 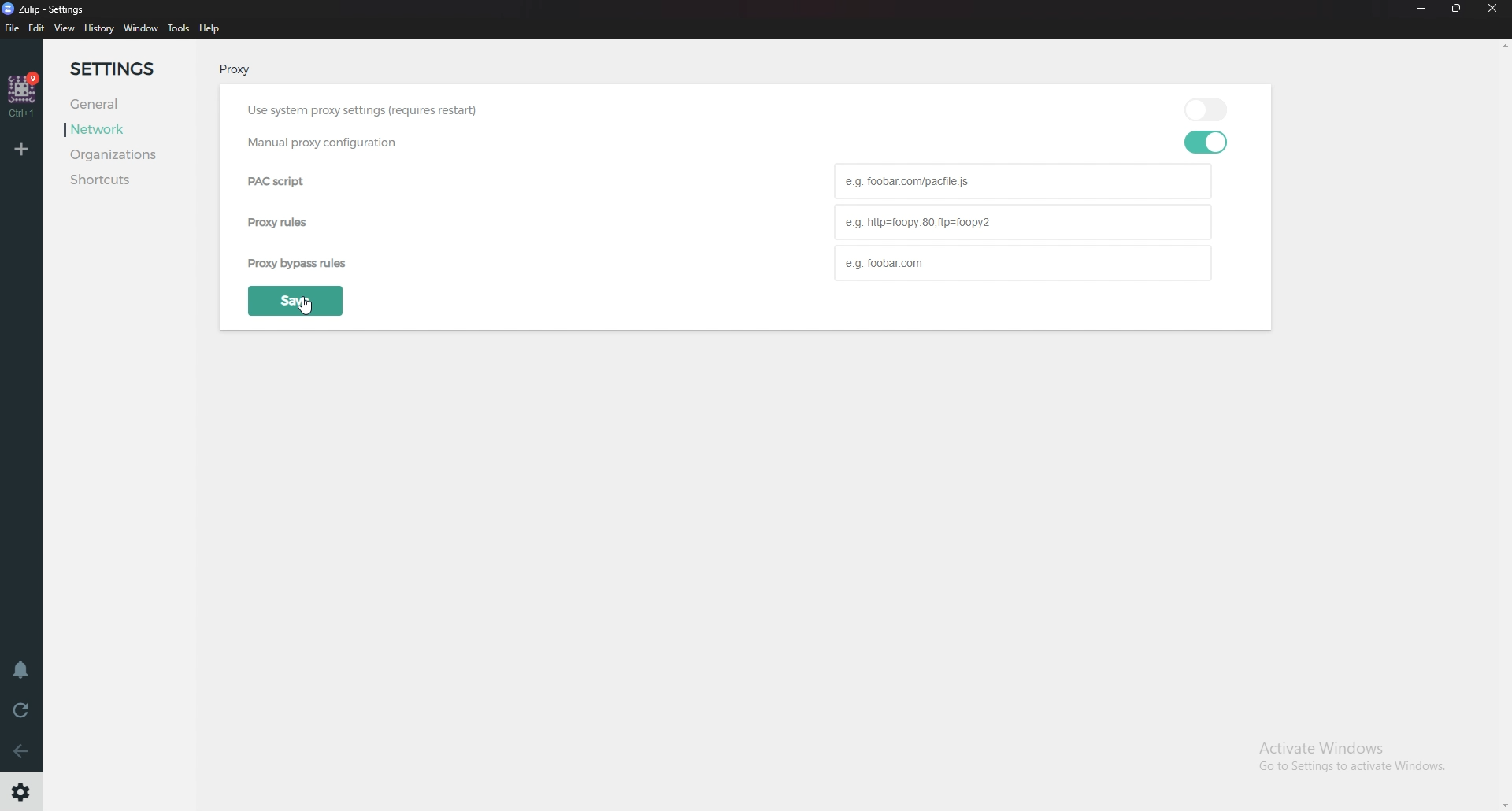 I want to click on Home, so click(x=24, y=95).